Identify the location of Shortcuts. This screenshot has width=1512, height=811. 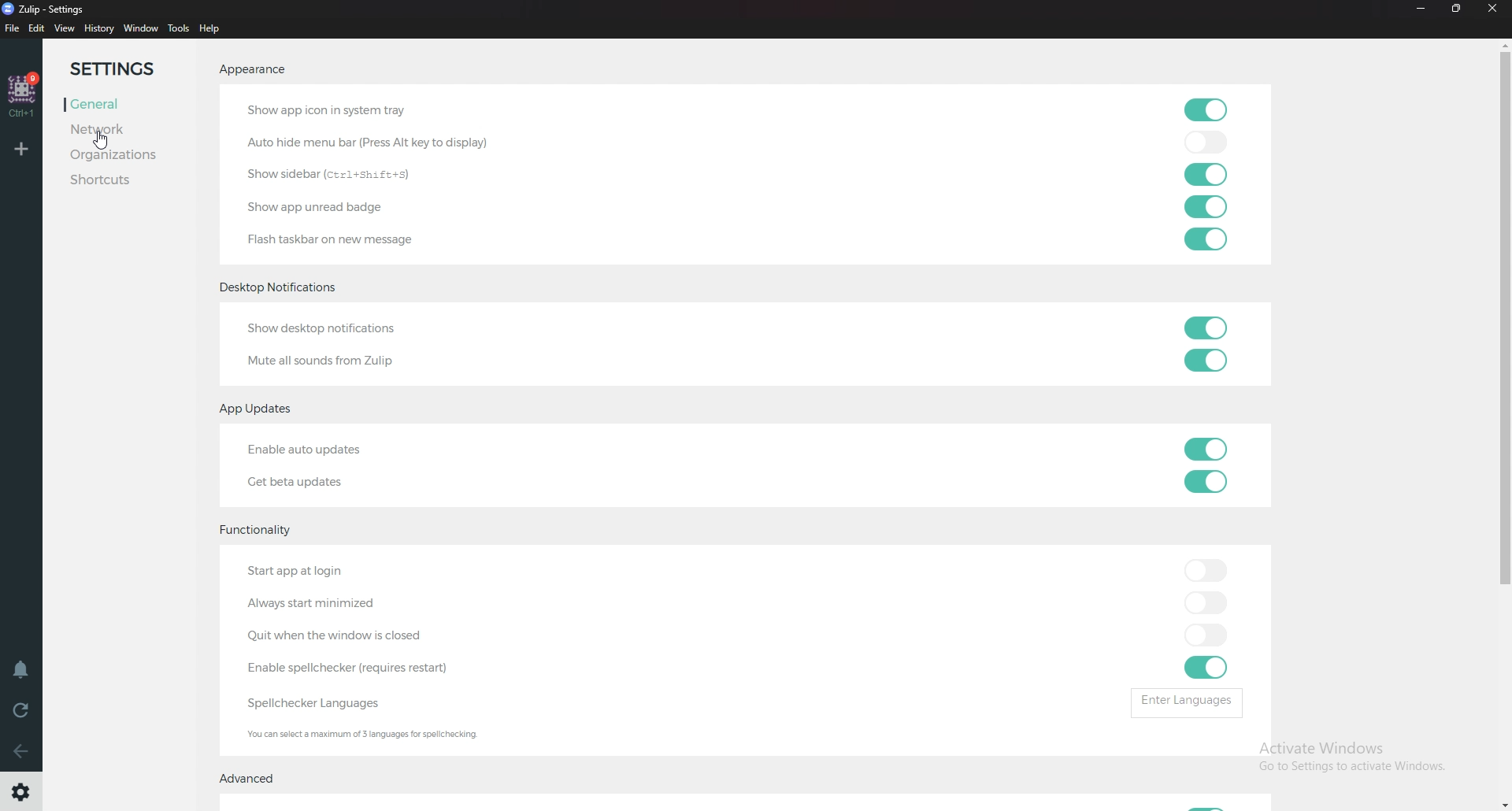
(126, 180).